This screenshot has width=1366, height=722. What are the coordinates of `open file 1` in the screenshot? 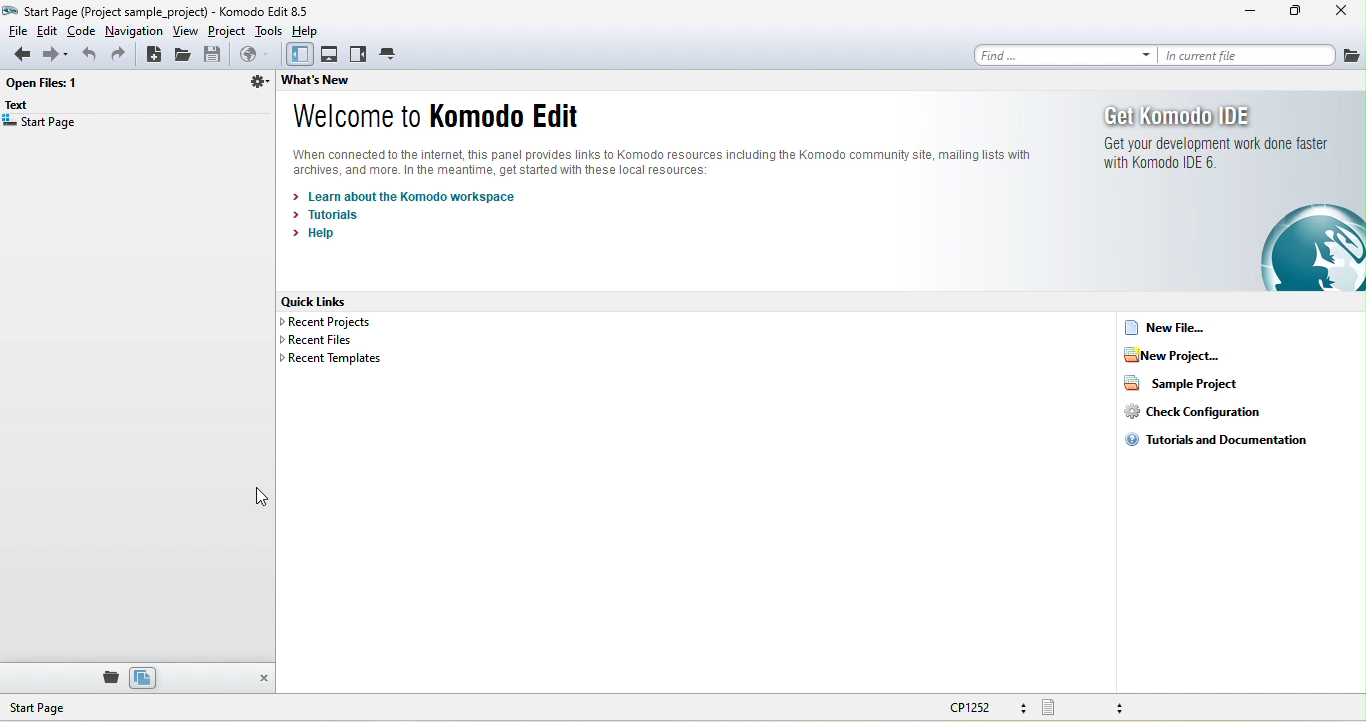 It's located at (47, 85).